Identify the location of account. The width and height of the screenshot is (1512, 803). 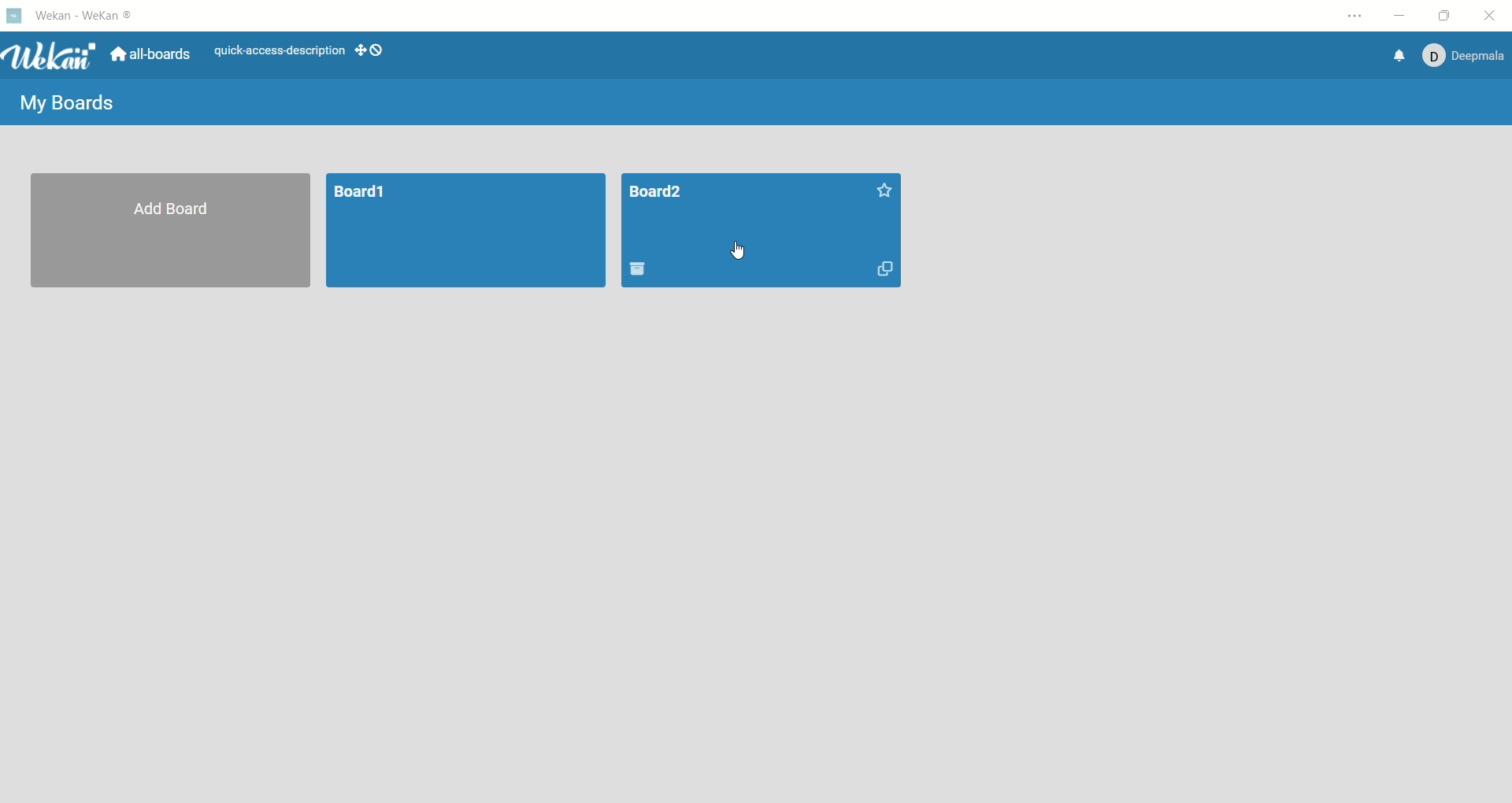
(1462, 54).